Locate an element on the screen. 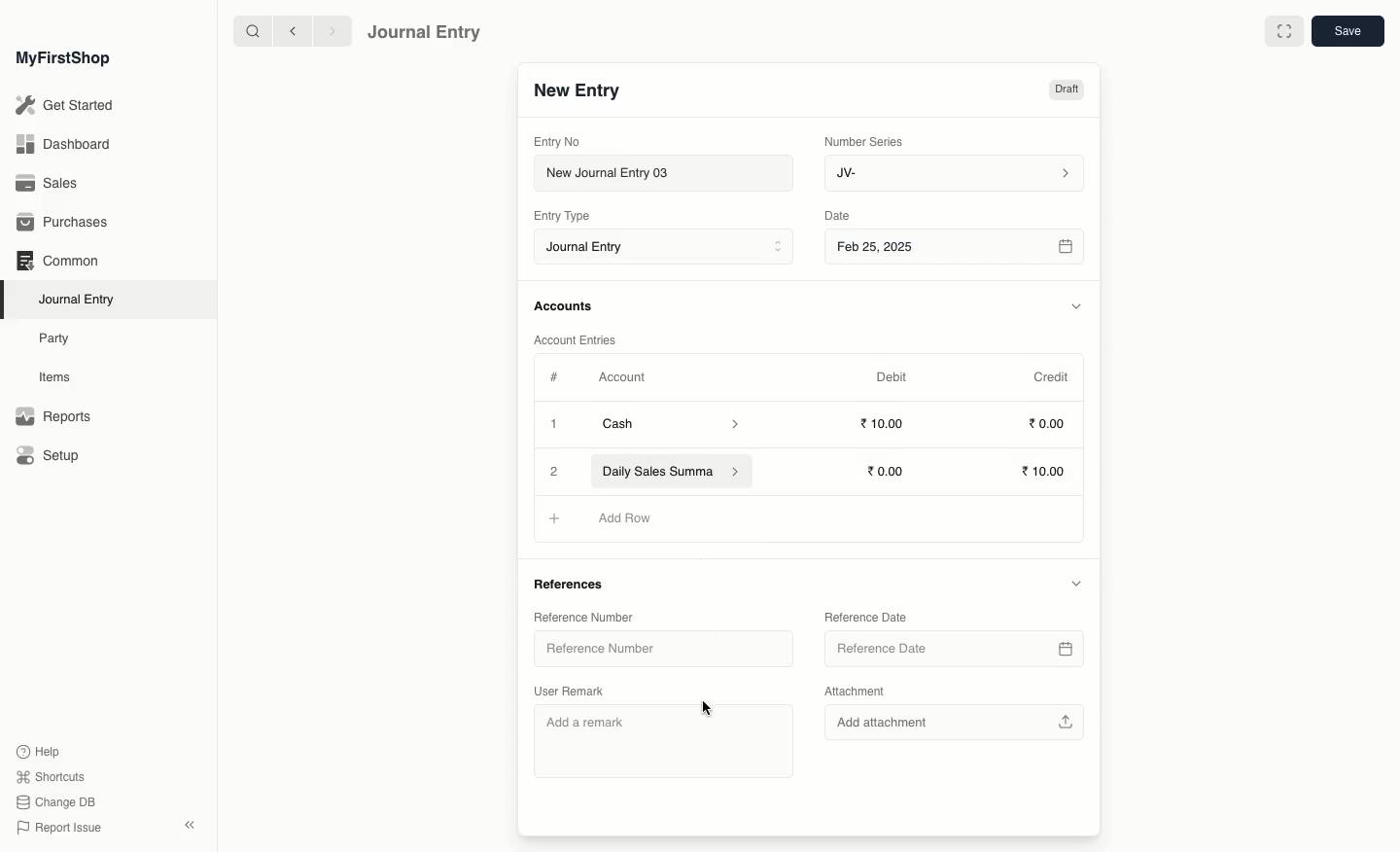  Full width toggle is located at coordinates (1282, 32).